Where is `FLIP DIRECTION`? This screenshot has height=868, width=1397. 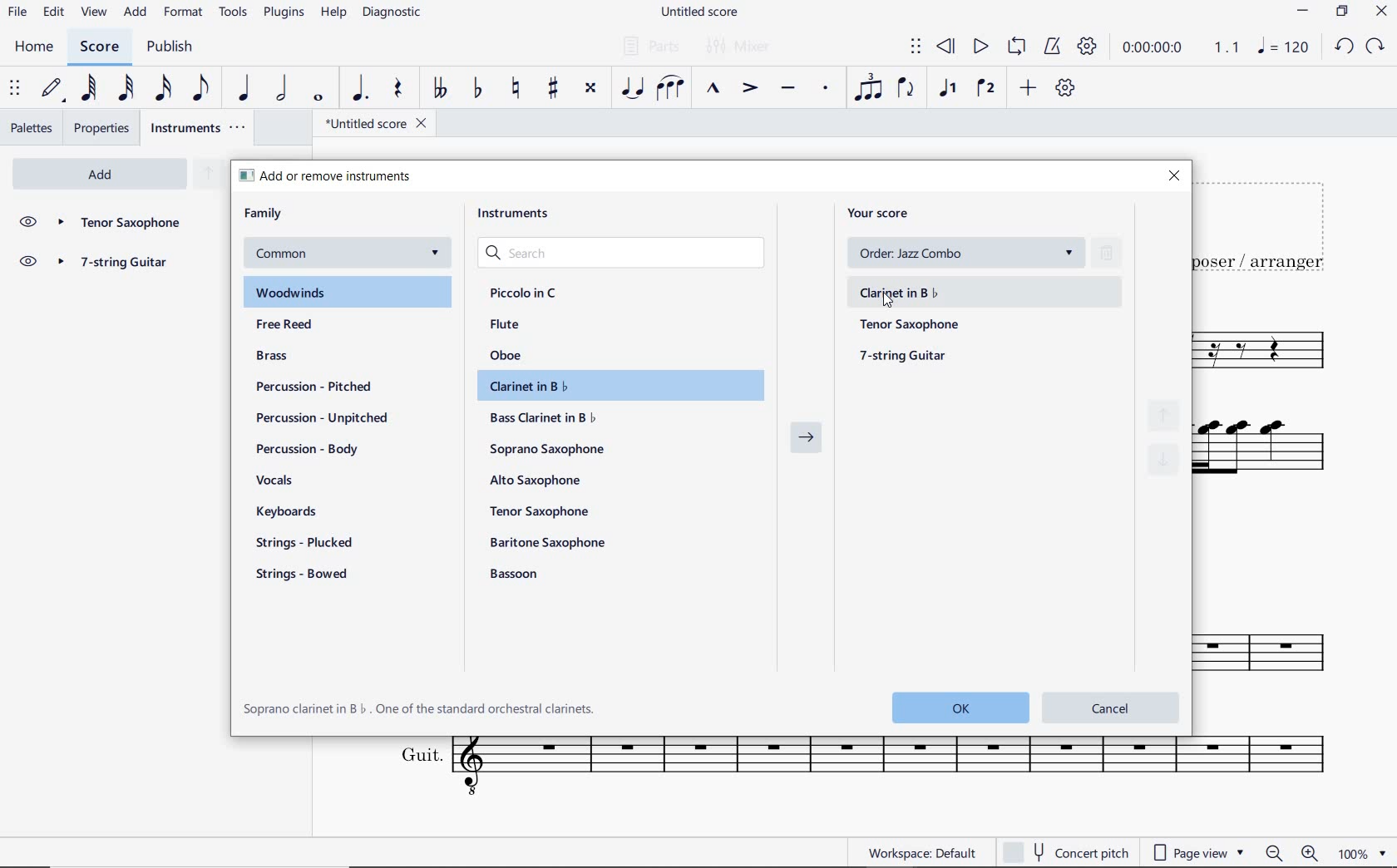 FLIP DIRECTION is located at coordinates (906, 89).